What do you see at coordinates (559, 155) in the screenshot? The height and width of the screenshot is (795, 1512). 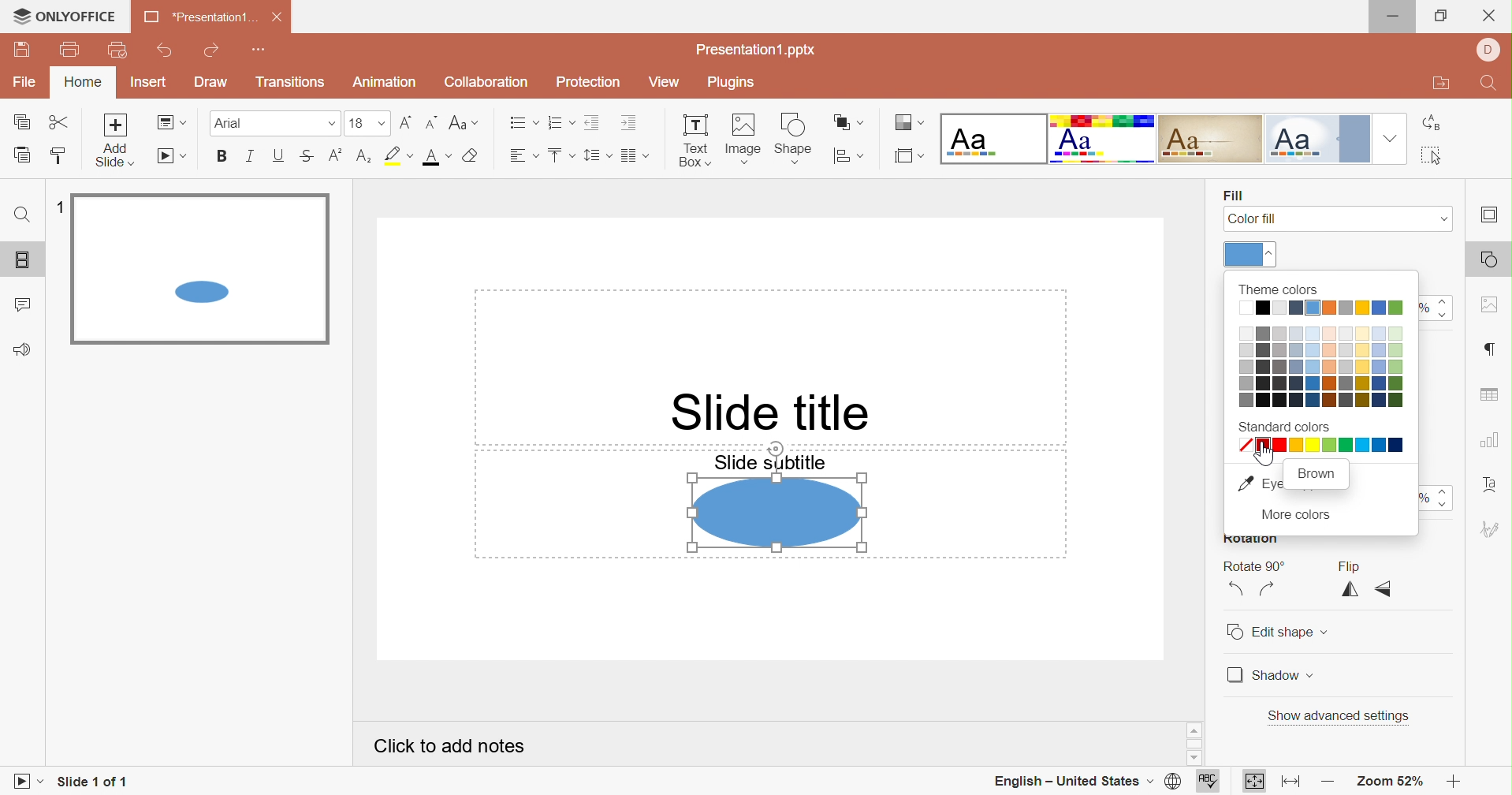 I see `Vertical align` at bounding box center [559, 155].